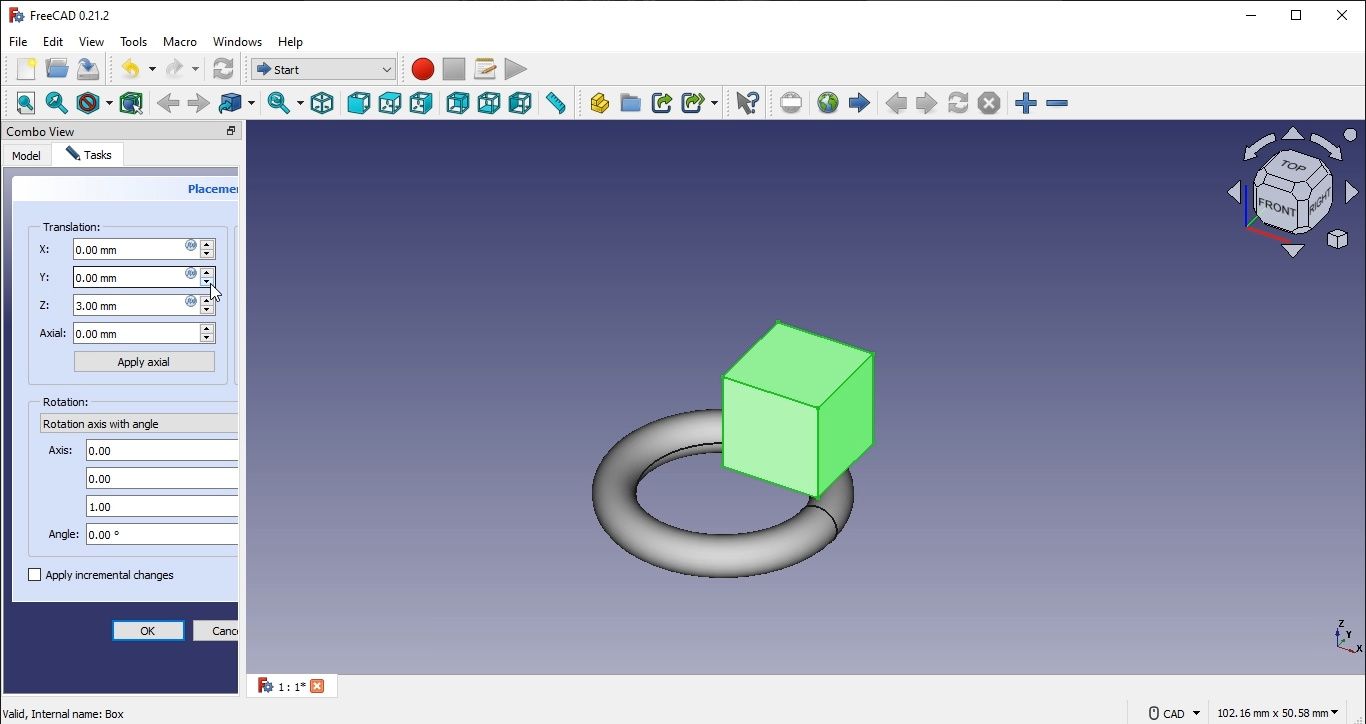 Image resolution: width=1366 pixels, height=724 pixels. What do you see at coordinates (1170, 712) in the screenshot?
I see `© cad` at bounding box center [1170, 712].